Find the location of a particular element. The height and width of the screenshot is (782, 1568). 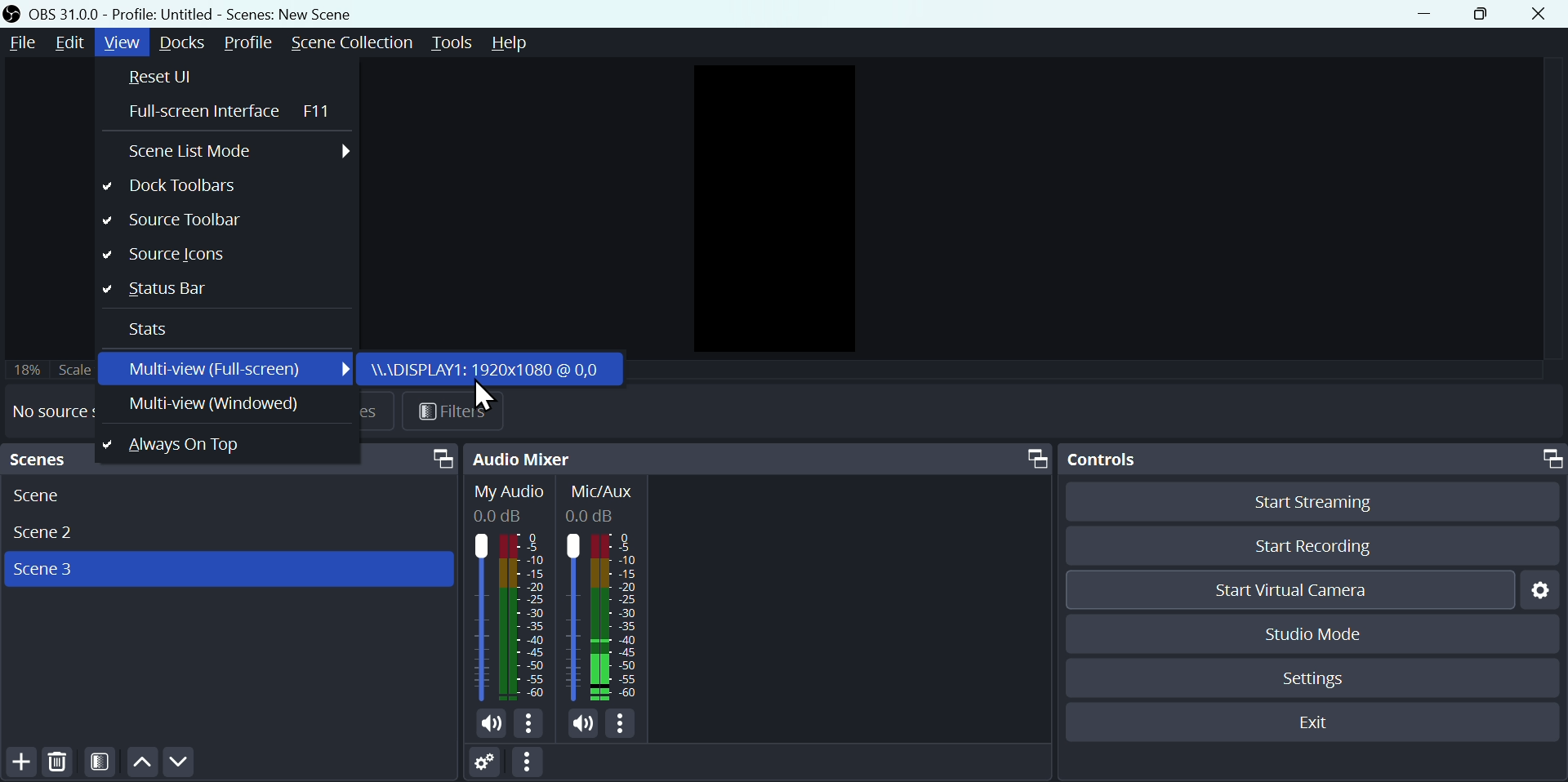

(un)mute is located at coordinates (490, 725).